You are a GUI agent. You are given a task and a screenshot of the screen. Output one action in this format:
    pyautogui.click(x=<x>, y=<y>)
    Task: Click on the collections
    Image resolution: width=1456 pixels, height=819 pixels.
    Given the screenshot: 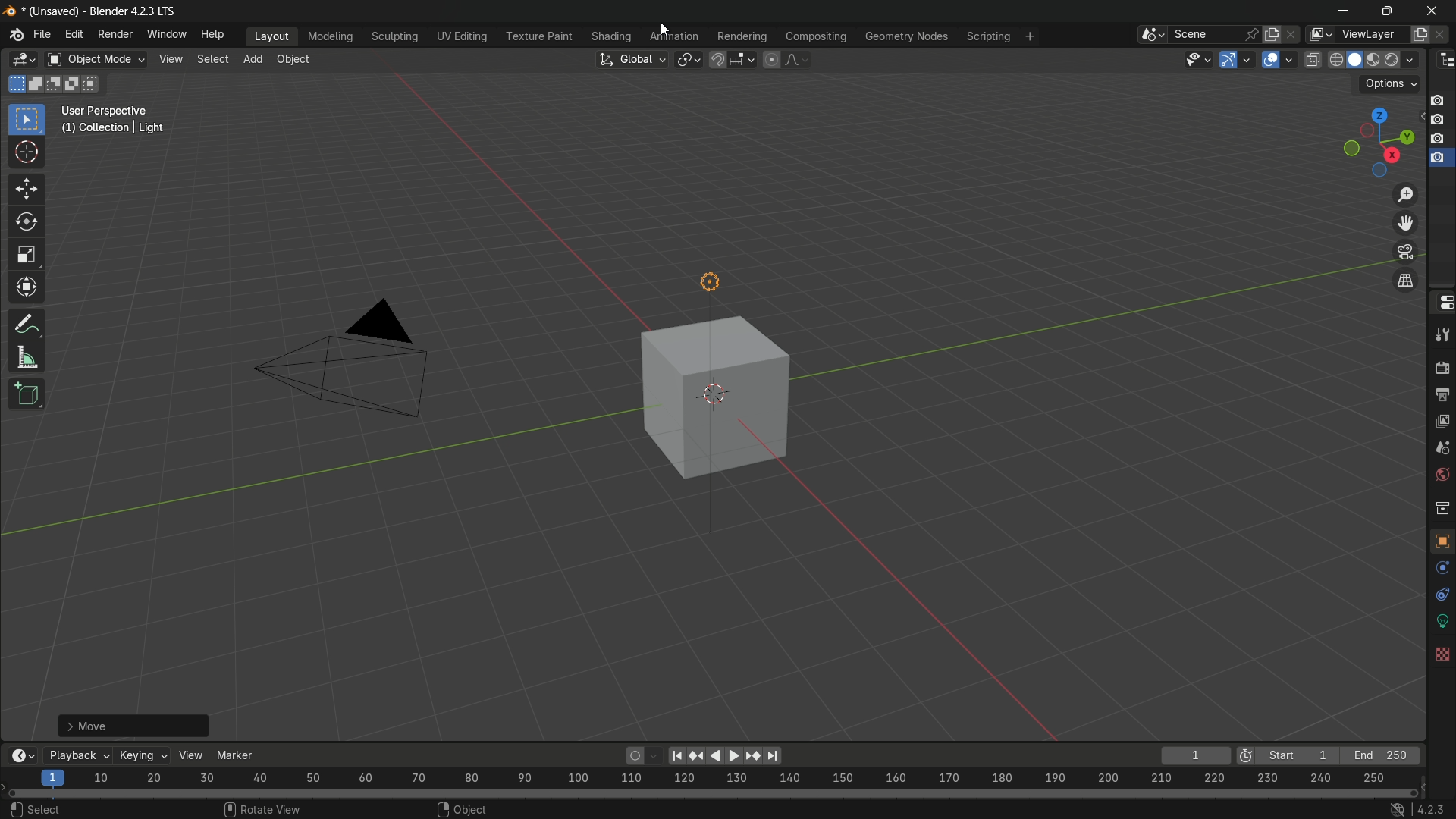 What is the action you would take?
    pyautogui.click(x=1439, y=508)
    